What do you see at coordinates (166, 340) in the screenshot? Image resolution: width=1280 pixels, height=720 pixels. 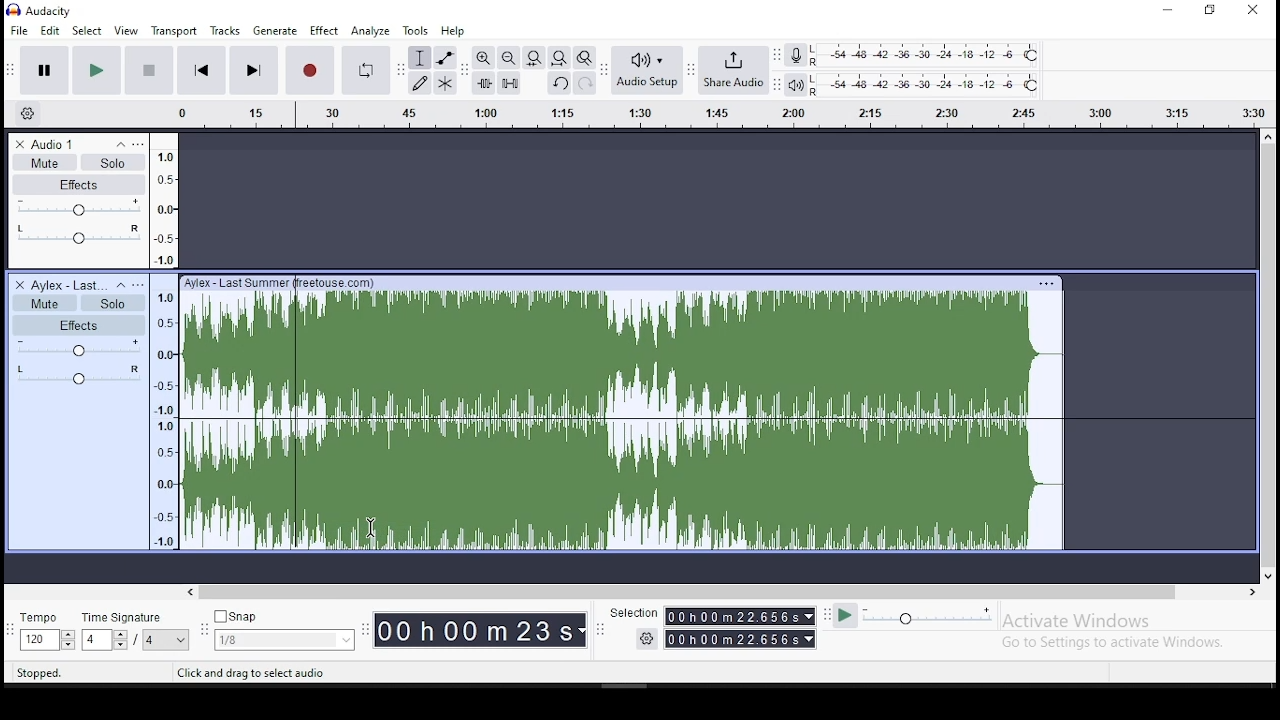 I see `Seeker` at bounding box center [166, 340].